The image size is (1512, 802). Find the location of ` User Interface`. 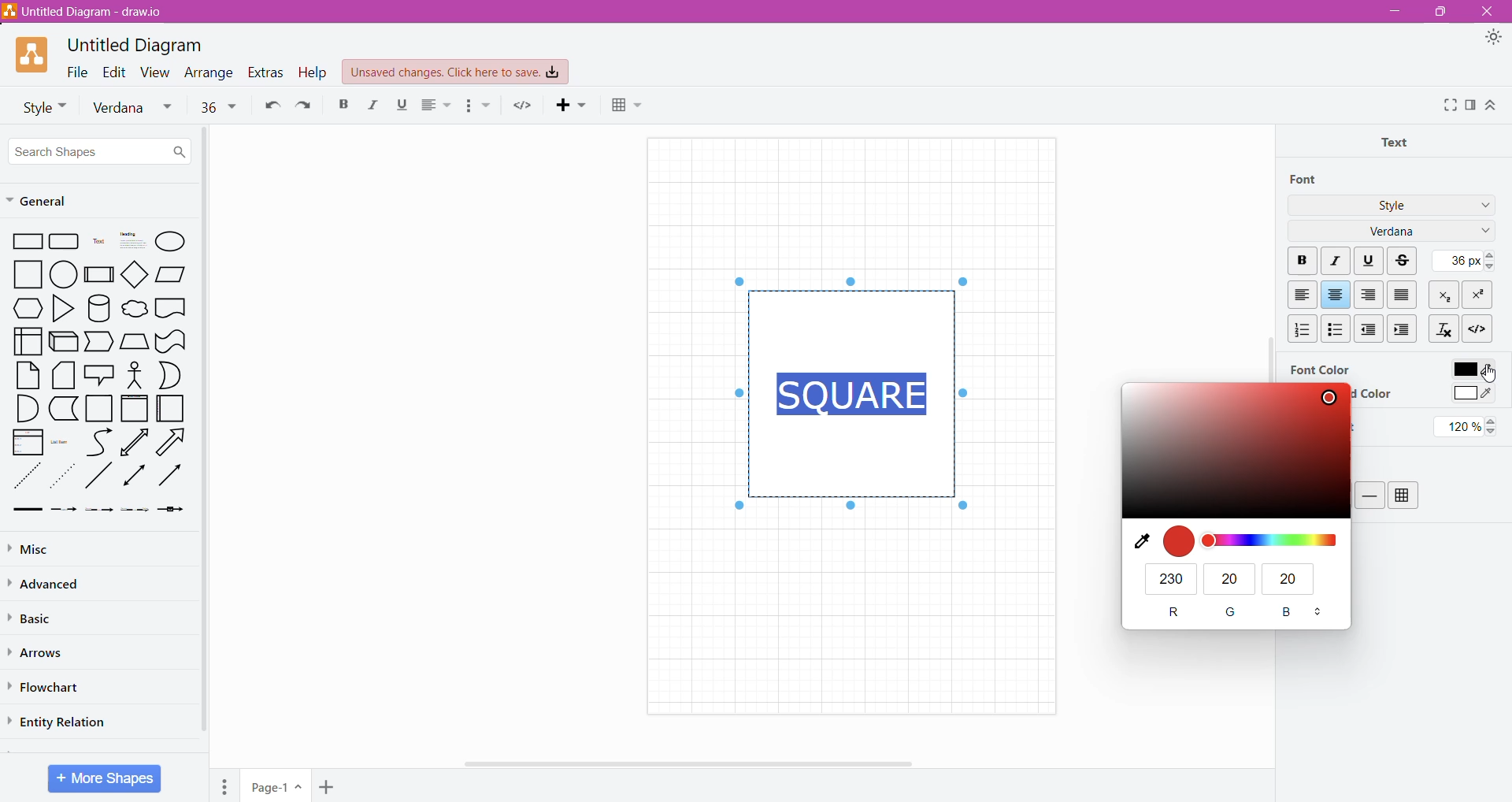

 User Interface is located at coordinates (27, 340).